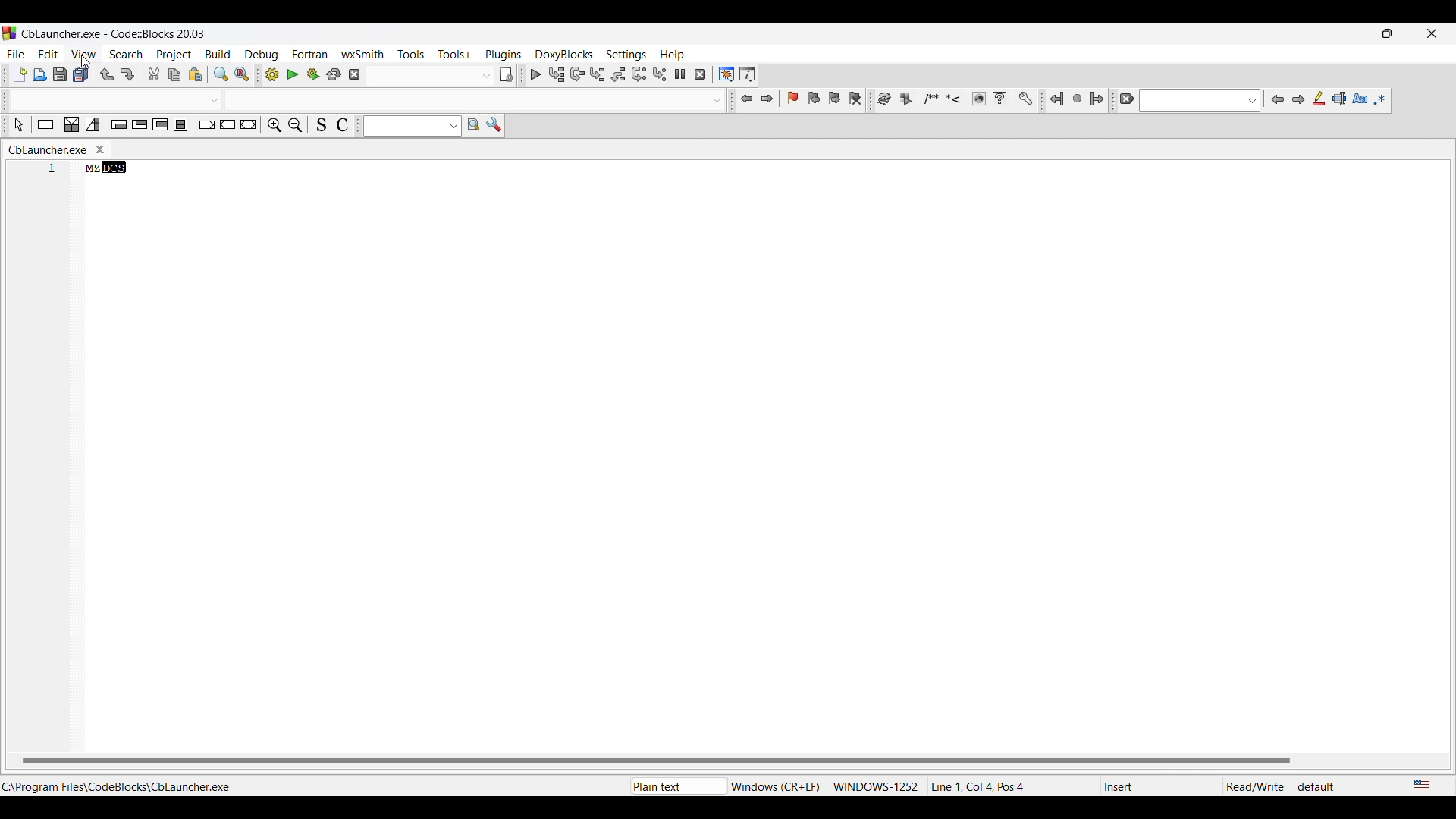  What do you see at coordinates (221, 74) in the screenshot?
I see `Find` at bounding box center [221, 74].